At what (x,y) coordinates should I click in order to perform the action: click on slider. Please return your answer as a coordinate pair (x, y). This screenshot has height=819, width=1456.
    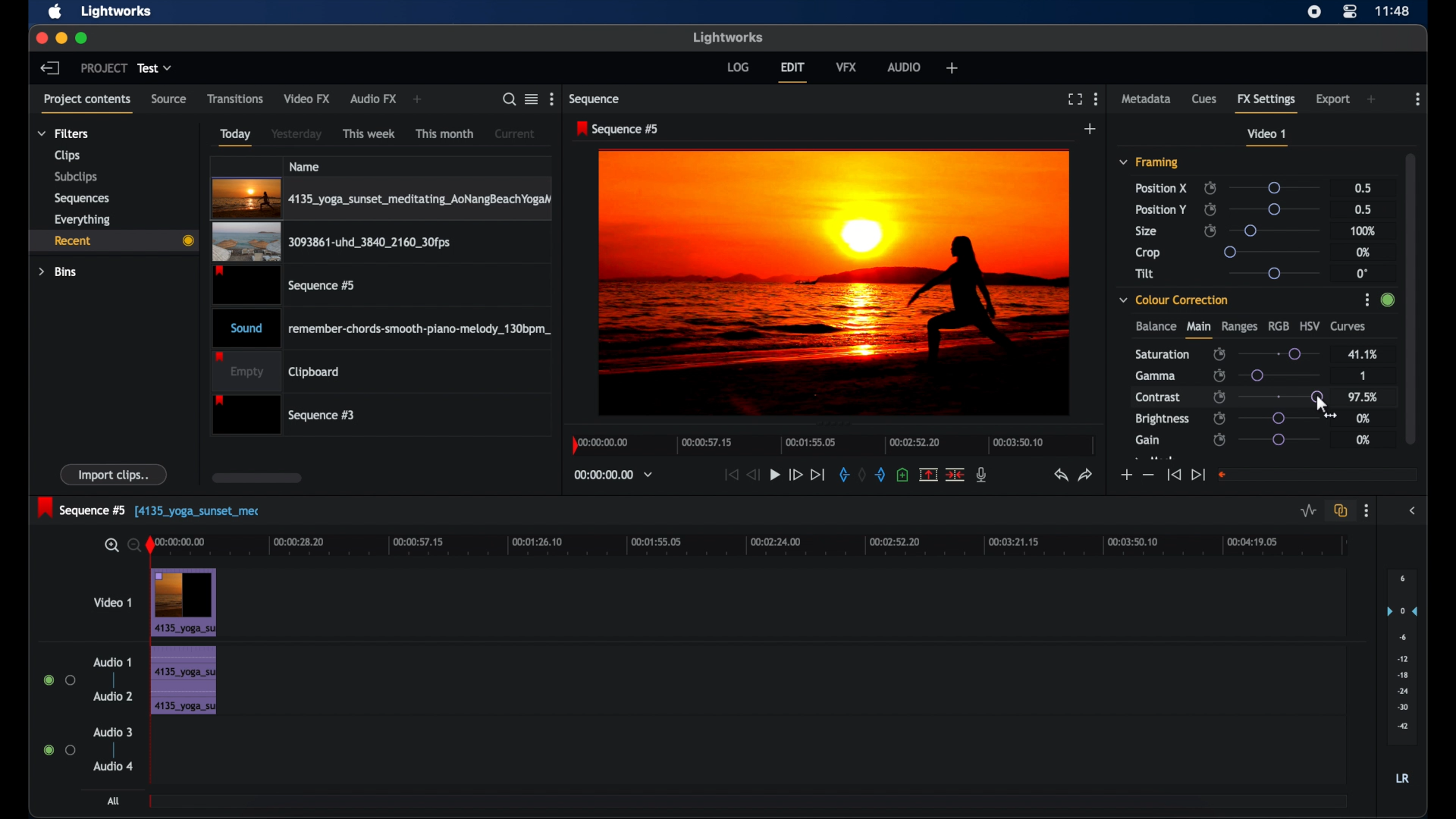
    Looking at the image, I should click on (1279, 440).